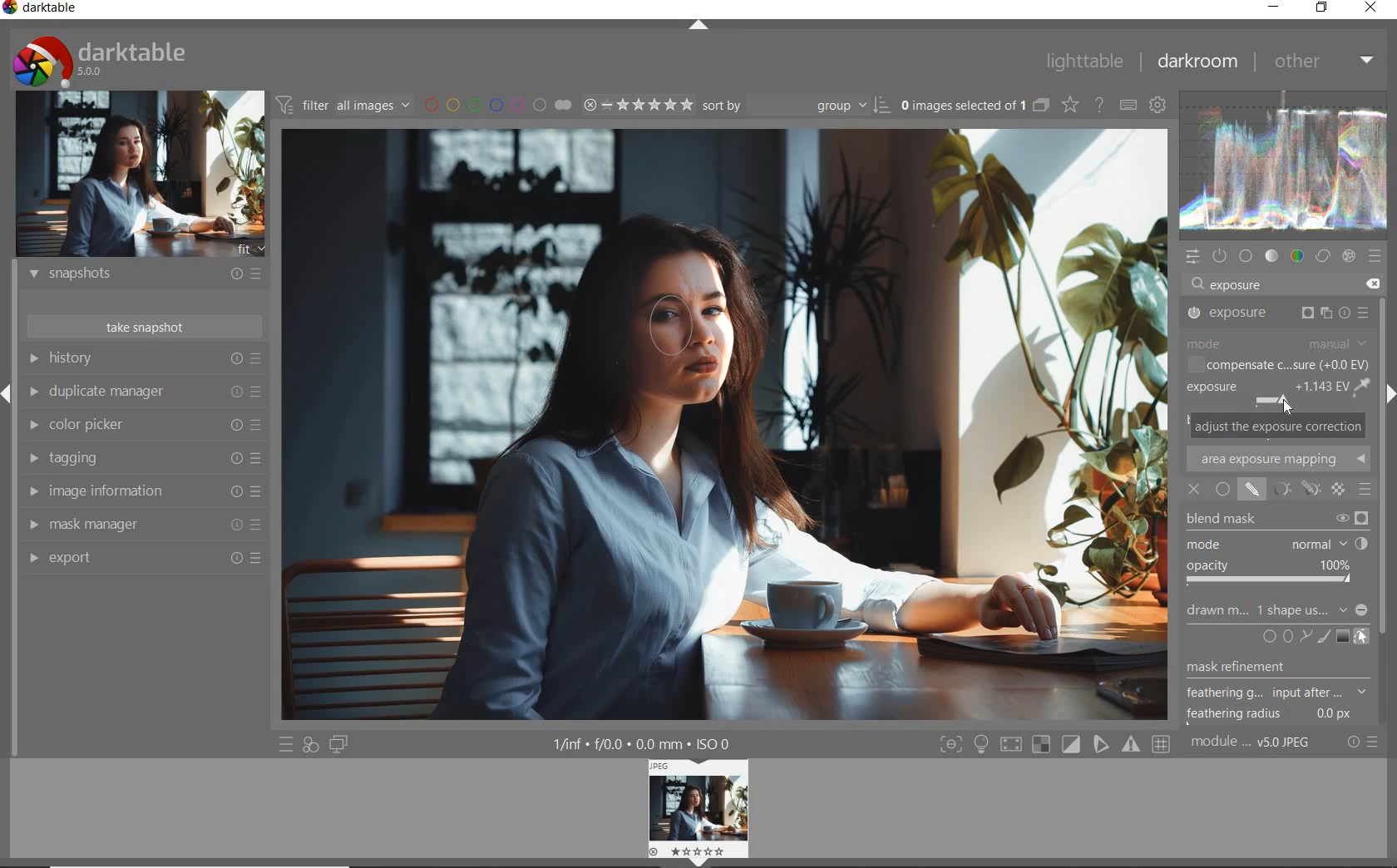  Describe the element at coordinates (1322, 637) in the screenshot. I see `ADD BRUSH` at that location.